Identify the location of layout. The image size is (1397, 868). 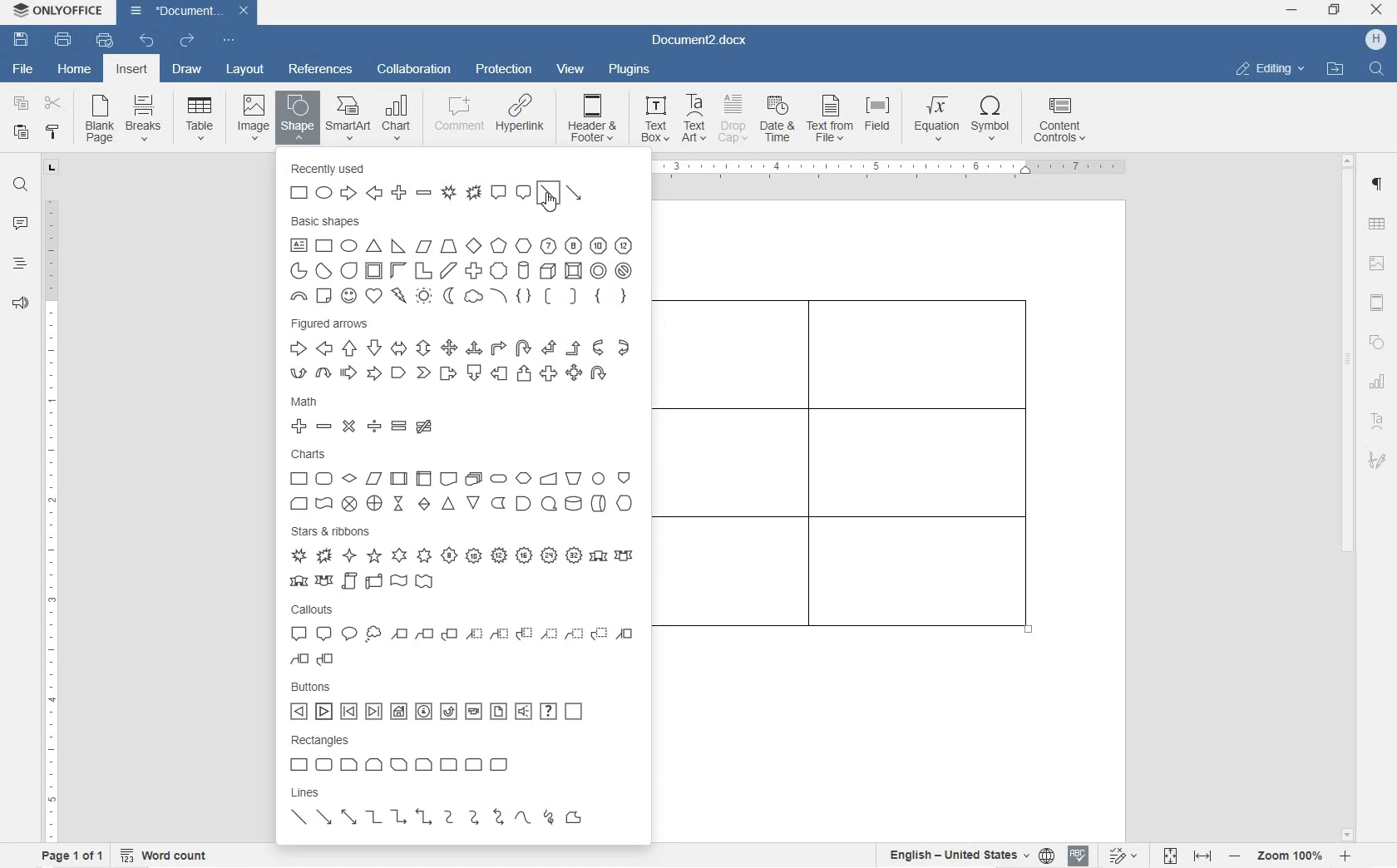
(246, 70).